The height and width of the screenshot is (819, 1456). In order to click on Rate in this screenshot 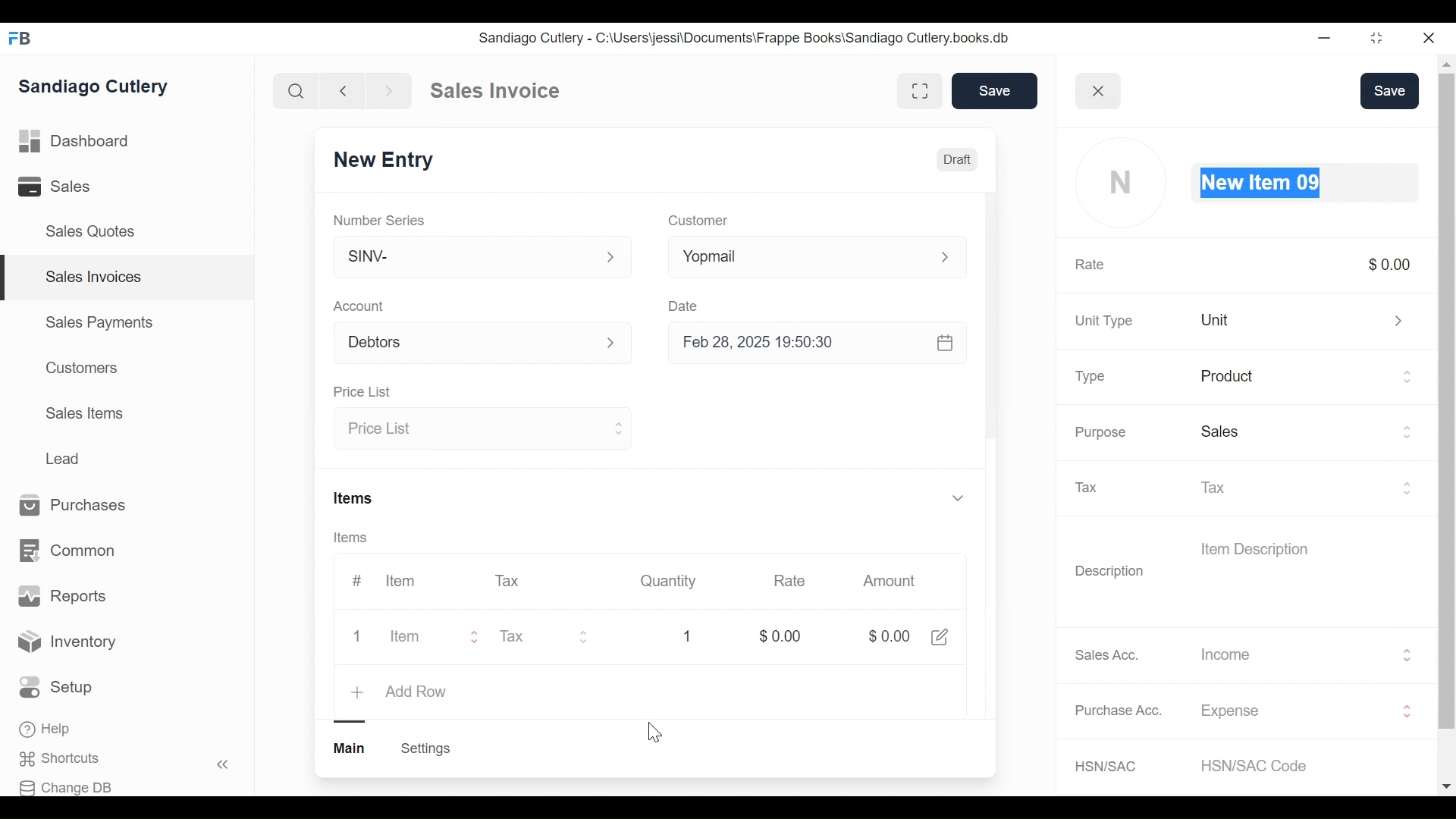, I will do `click(789, 581)`.